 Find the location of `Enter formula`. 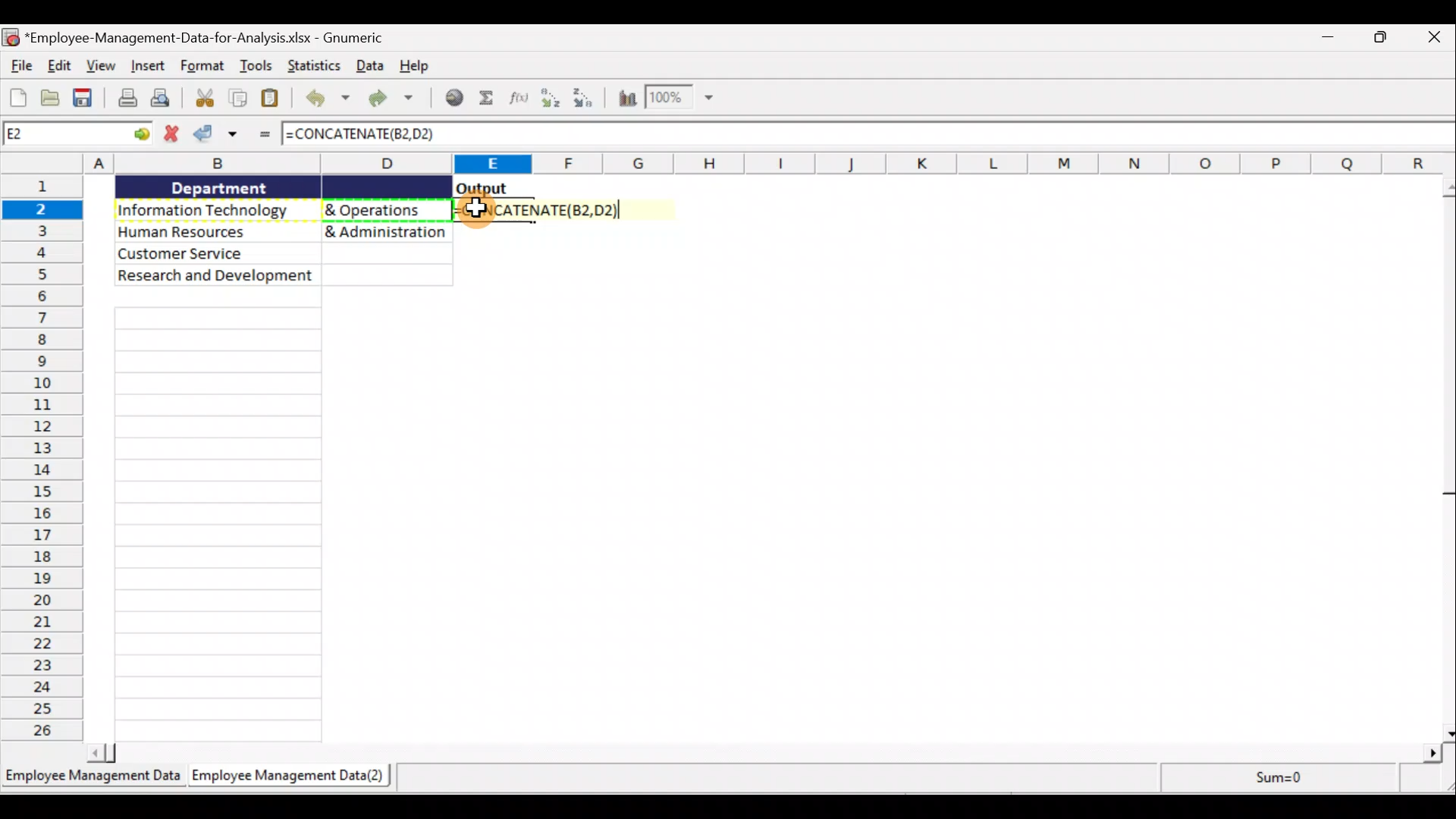

Enter formula is located at coordinates (266, 133).